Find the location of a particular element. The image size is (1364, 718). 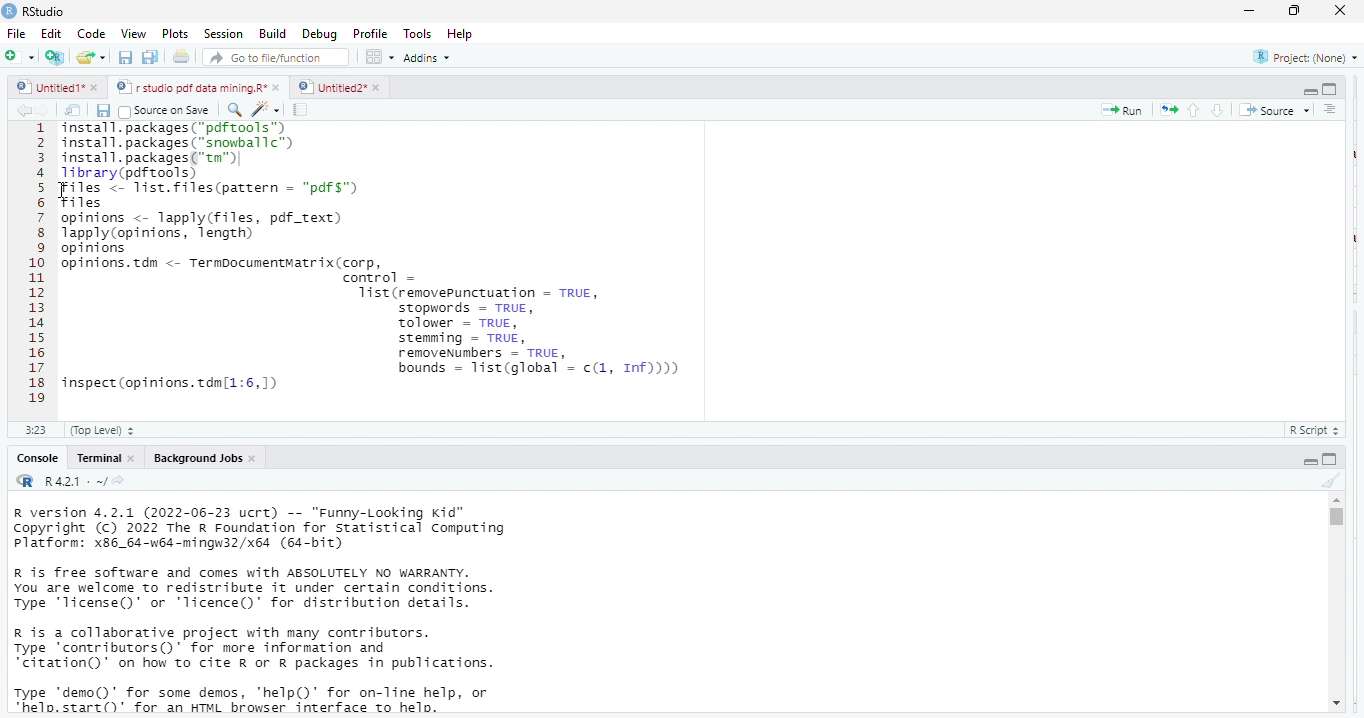

create a project is located at coordinates (53, 57).